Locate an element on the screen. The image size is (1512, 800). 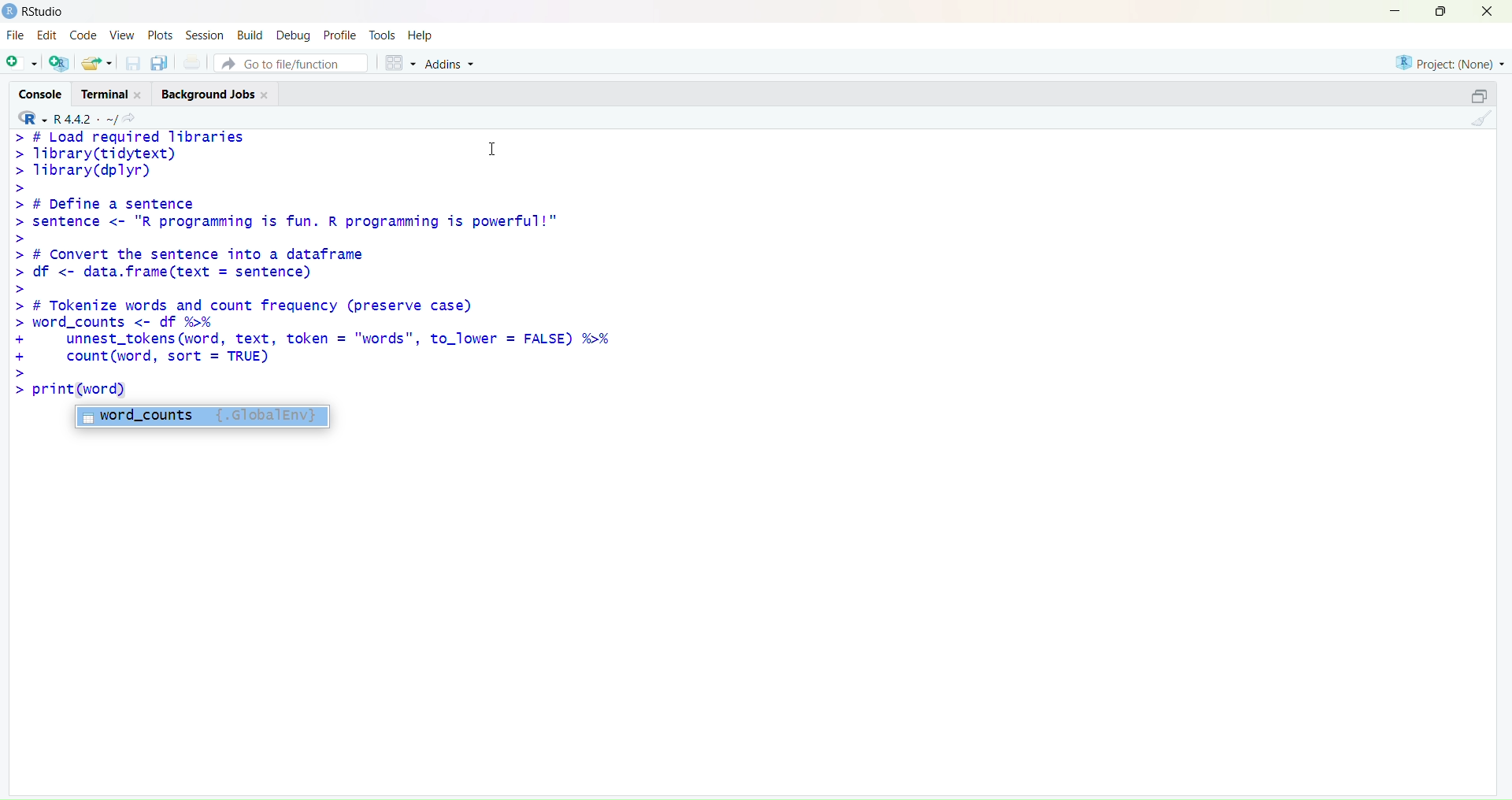
save current document is located at coordinates (132, 64).